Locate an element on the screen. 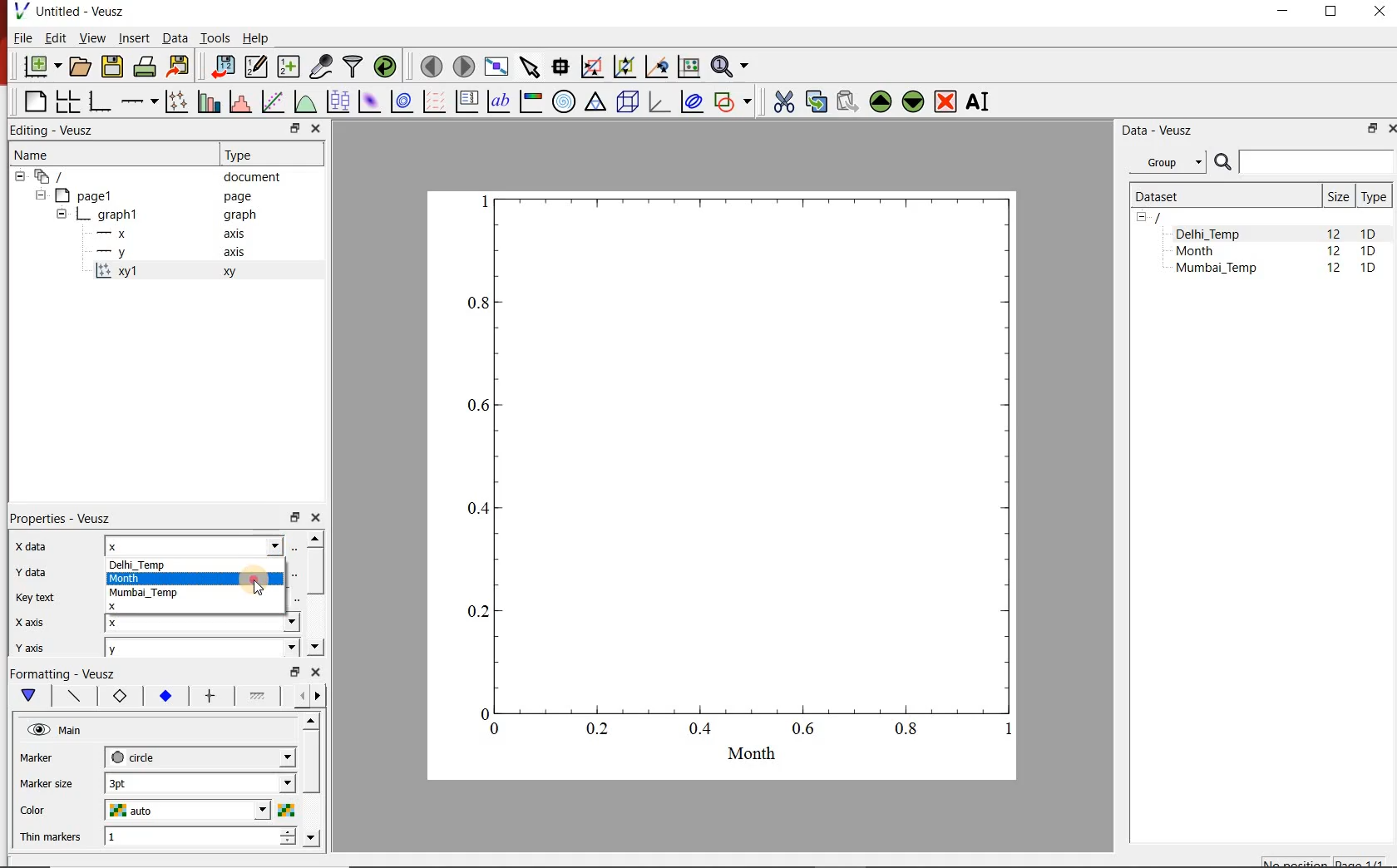 The image size is (1397, 868). x is located at coordinates (203, 621).